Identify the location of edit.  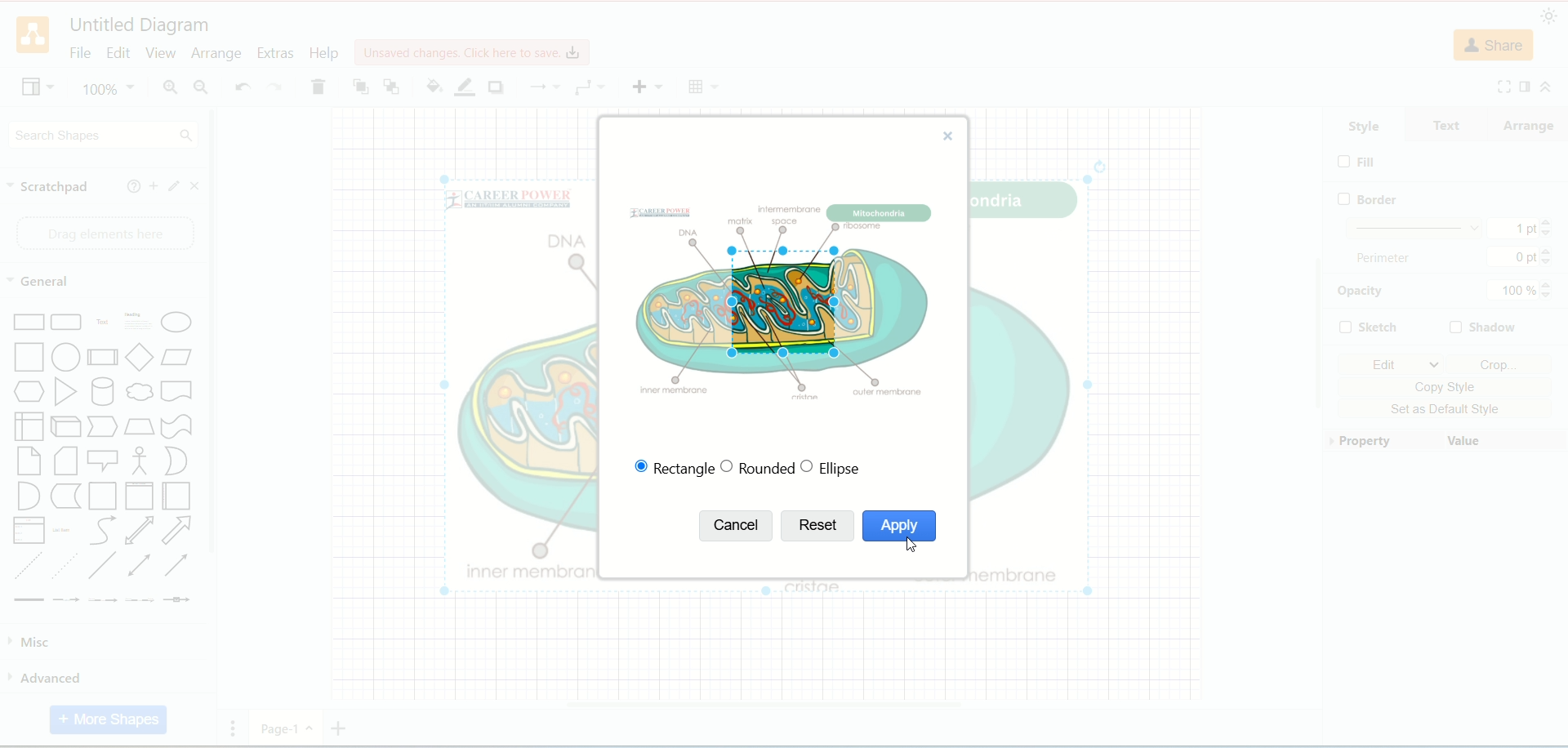
(115, 51).